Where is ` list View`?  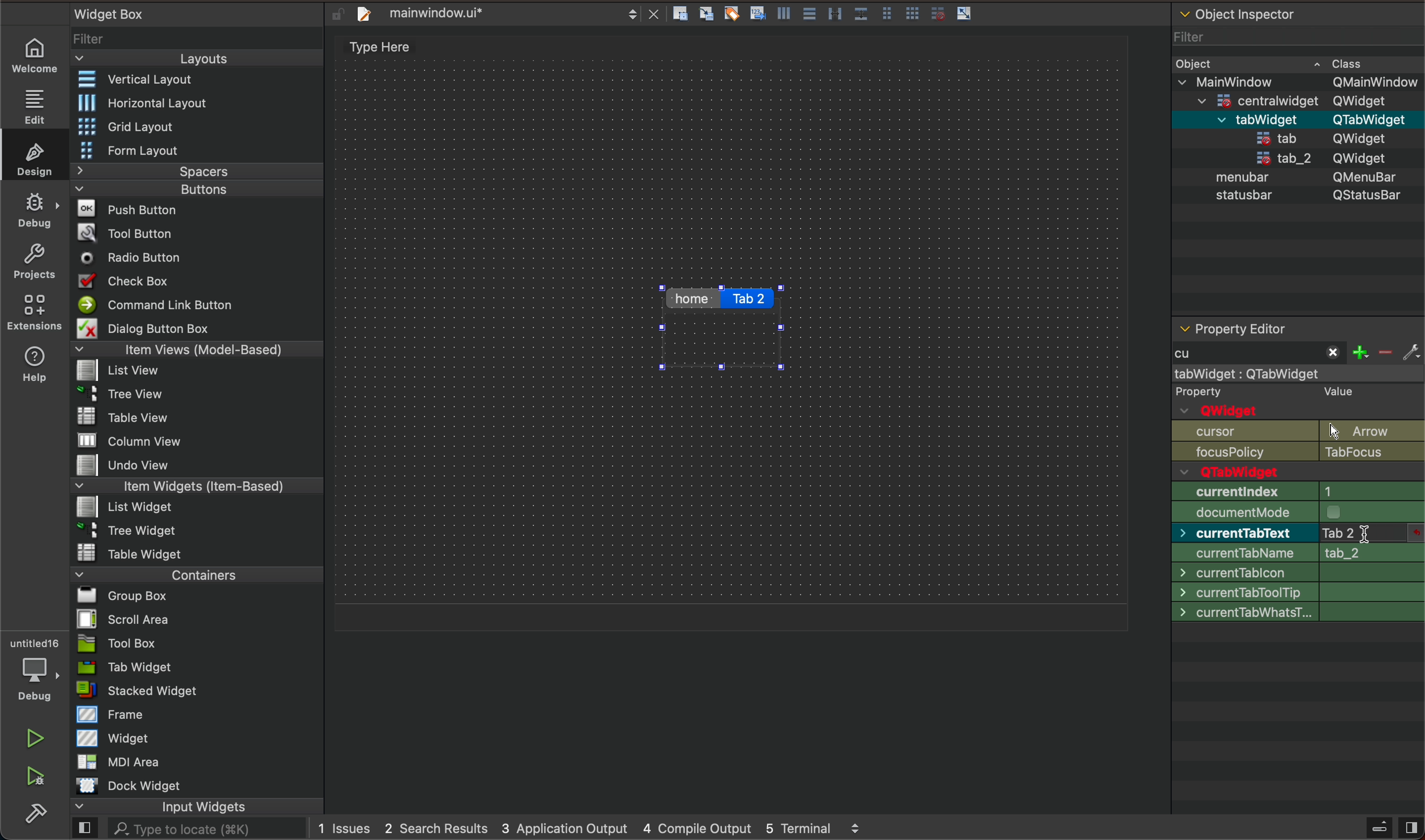  list View is located at coordinates (119, 371).